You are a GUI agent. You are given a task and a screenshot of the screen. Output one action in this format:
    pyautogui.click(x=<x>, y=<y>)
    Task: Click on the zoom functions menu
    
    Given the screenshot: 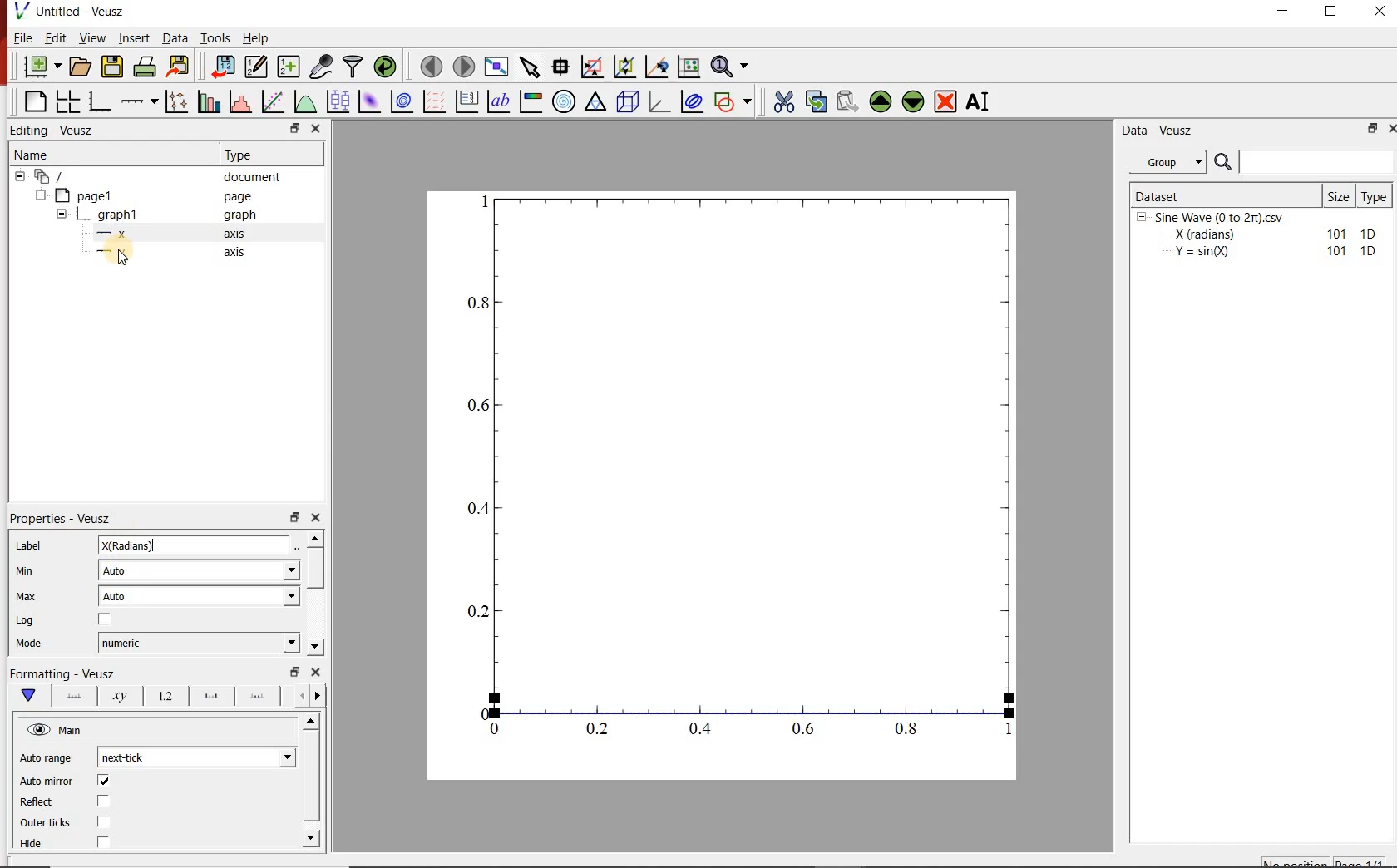 What is the action you would take?
    pyautogui.click(x=732, y=64)
    